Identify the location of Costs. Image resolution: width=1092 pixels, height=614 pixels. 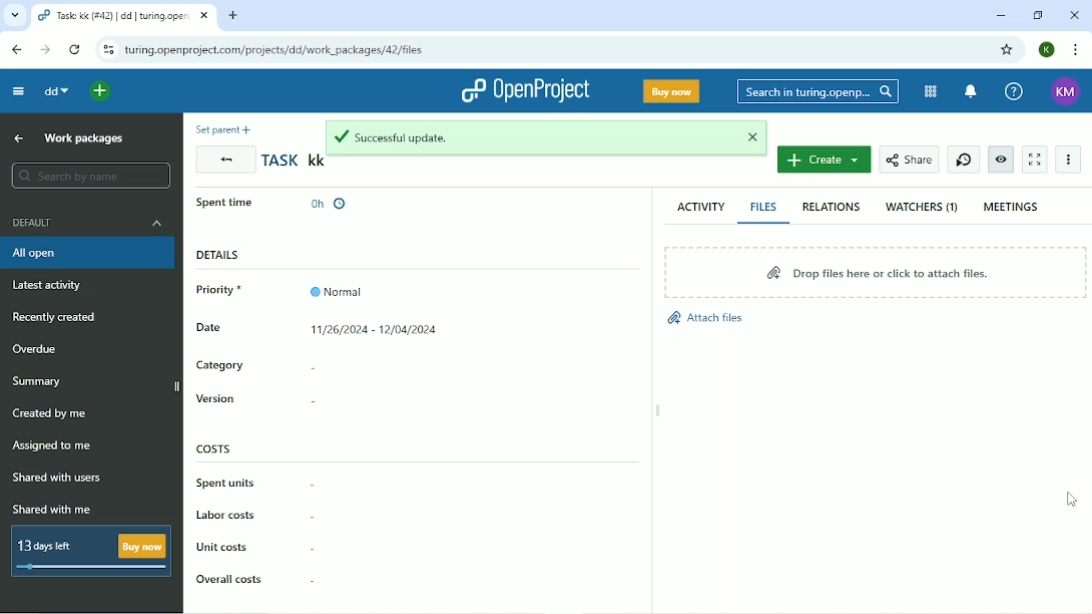
(215, 448).